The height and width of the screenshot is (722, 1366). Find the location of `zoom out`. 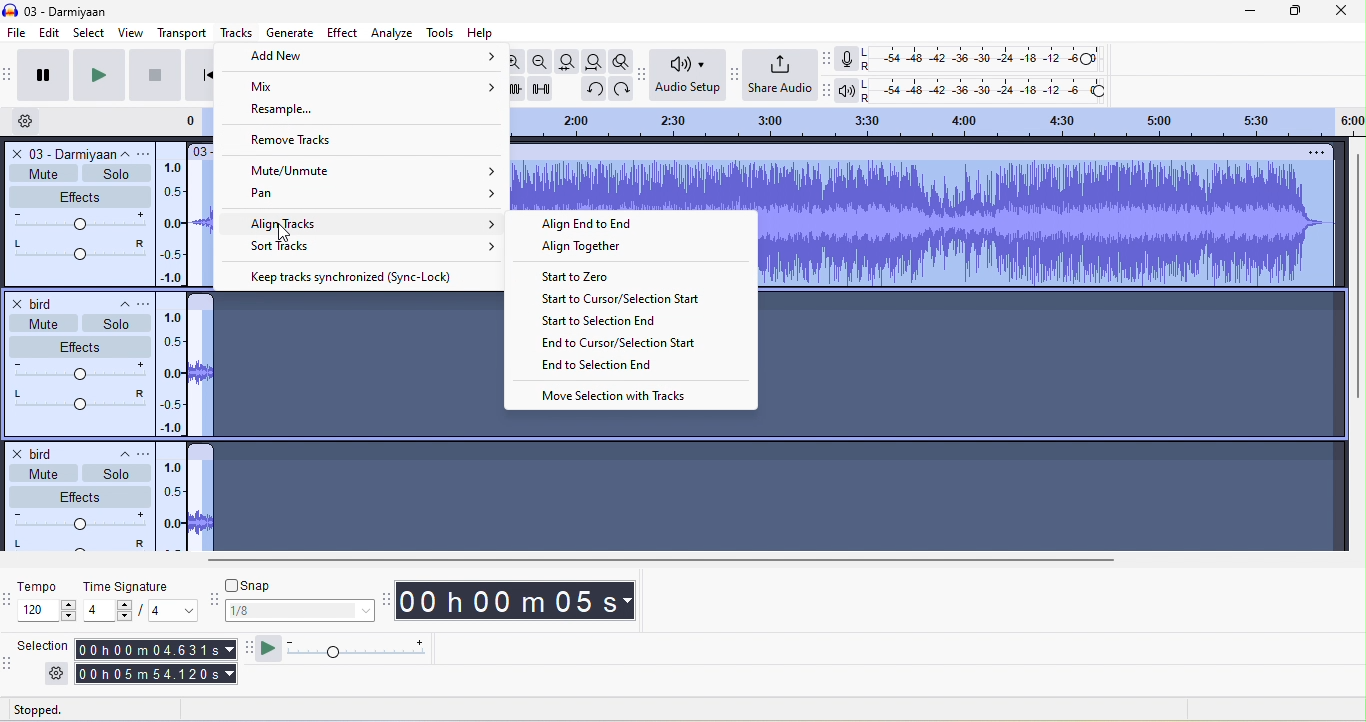

zoom out is located at coordinates (543, 62).